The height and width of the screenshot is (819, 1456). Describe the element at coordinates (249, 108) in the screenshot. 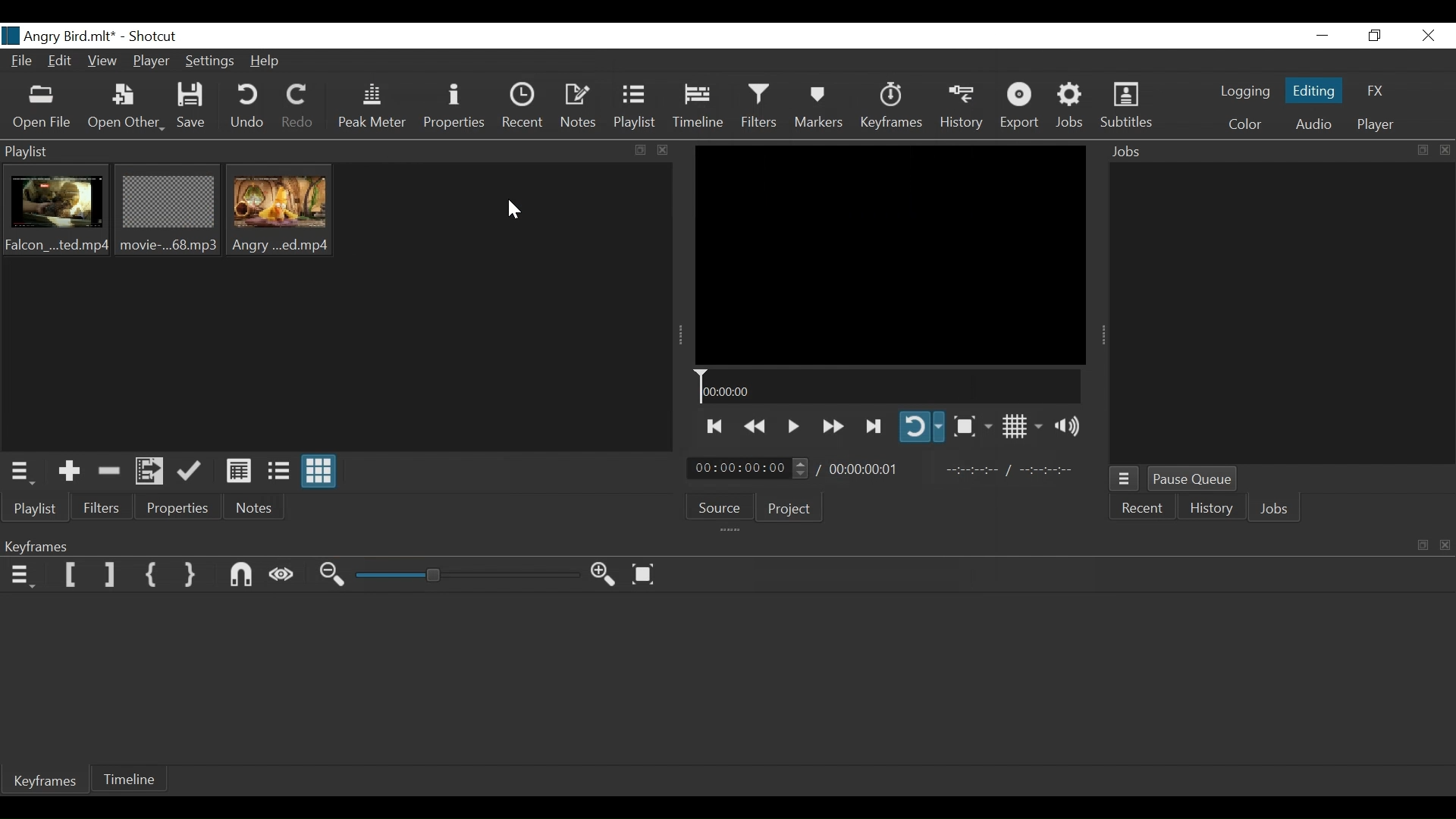

I see `Undo` at that location.